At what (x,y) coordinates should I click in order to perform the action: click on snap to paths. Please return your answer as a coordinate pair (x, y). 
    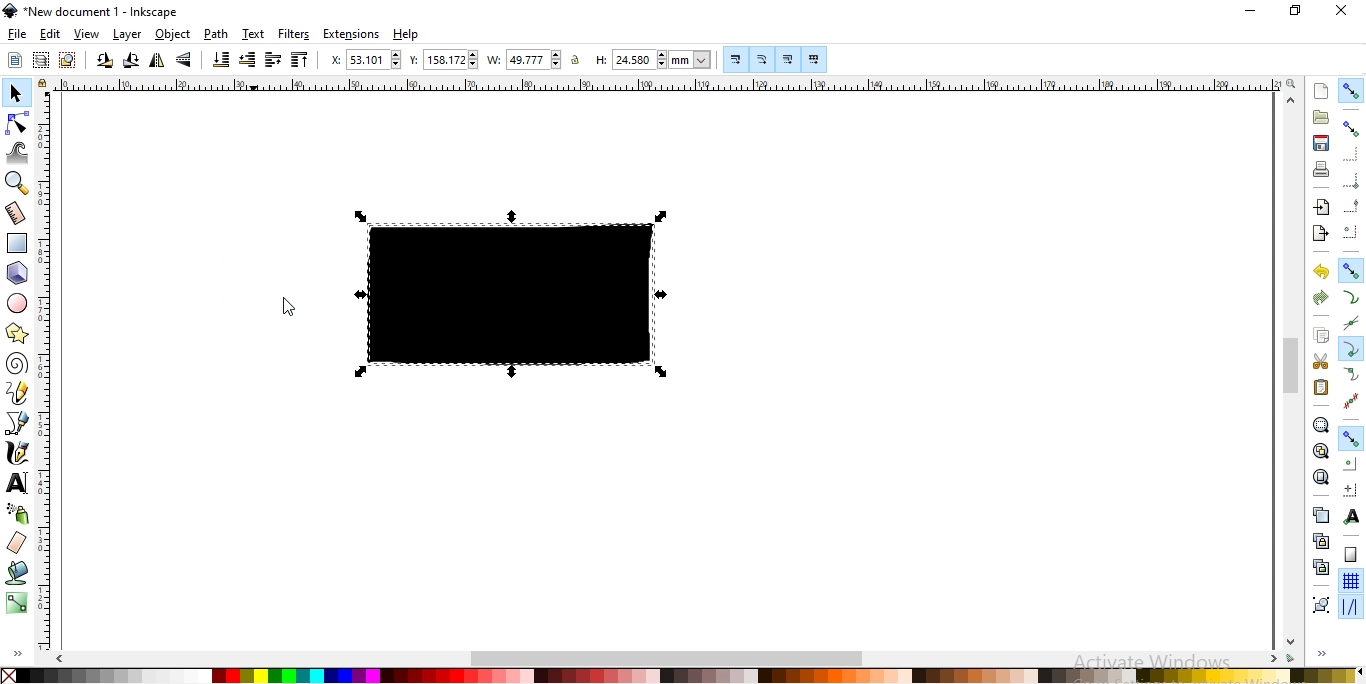
    Looking at the image, I should click on (1352, 297).